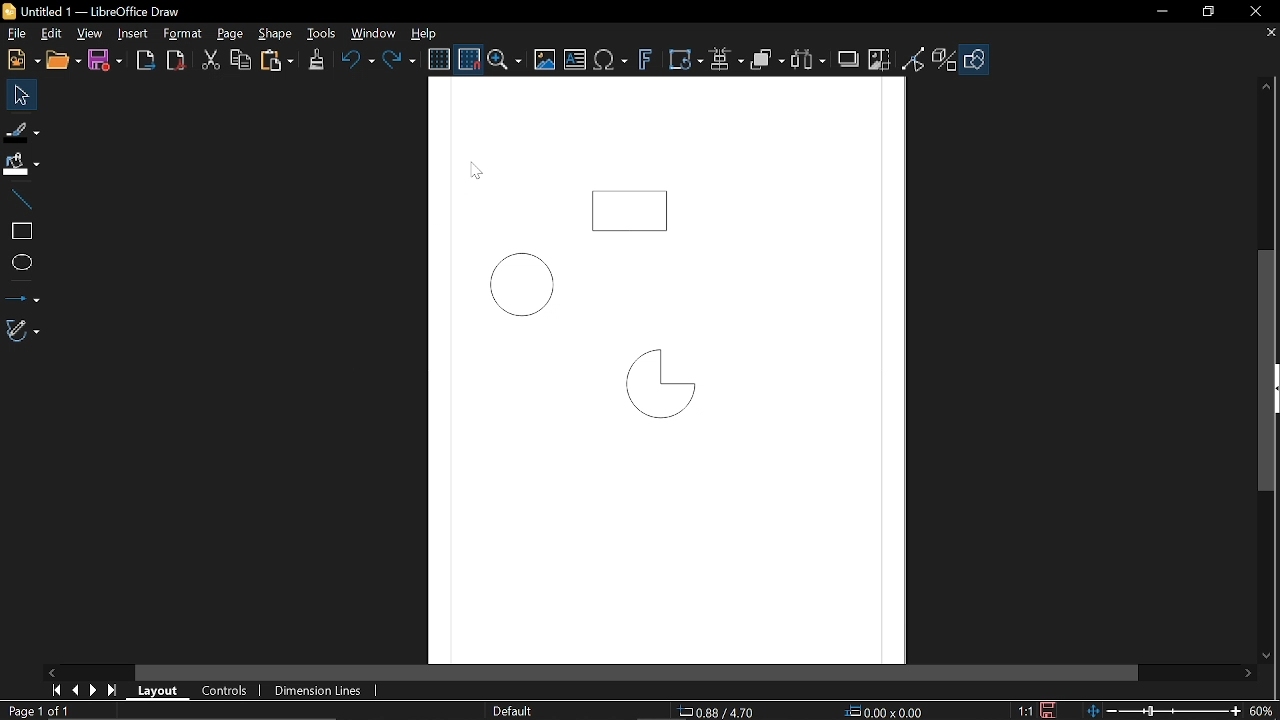 Image resolution: width=1280 pixels, height=720 pixels. What do you see at coordinates (63, 60) in the screenshot?
I see `Open` at bounding box center [63, 60].